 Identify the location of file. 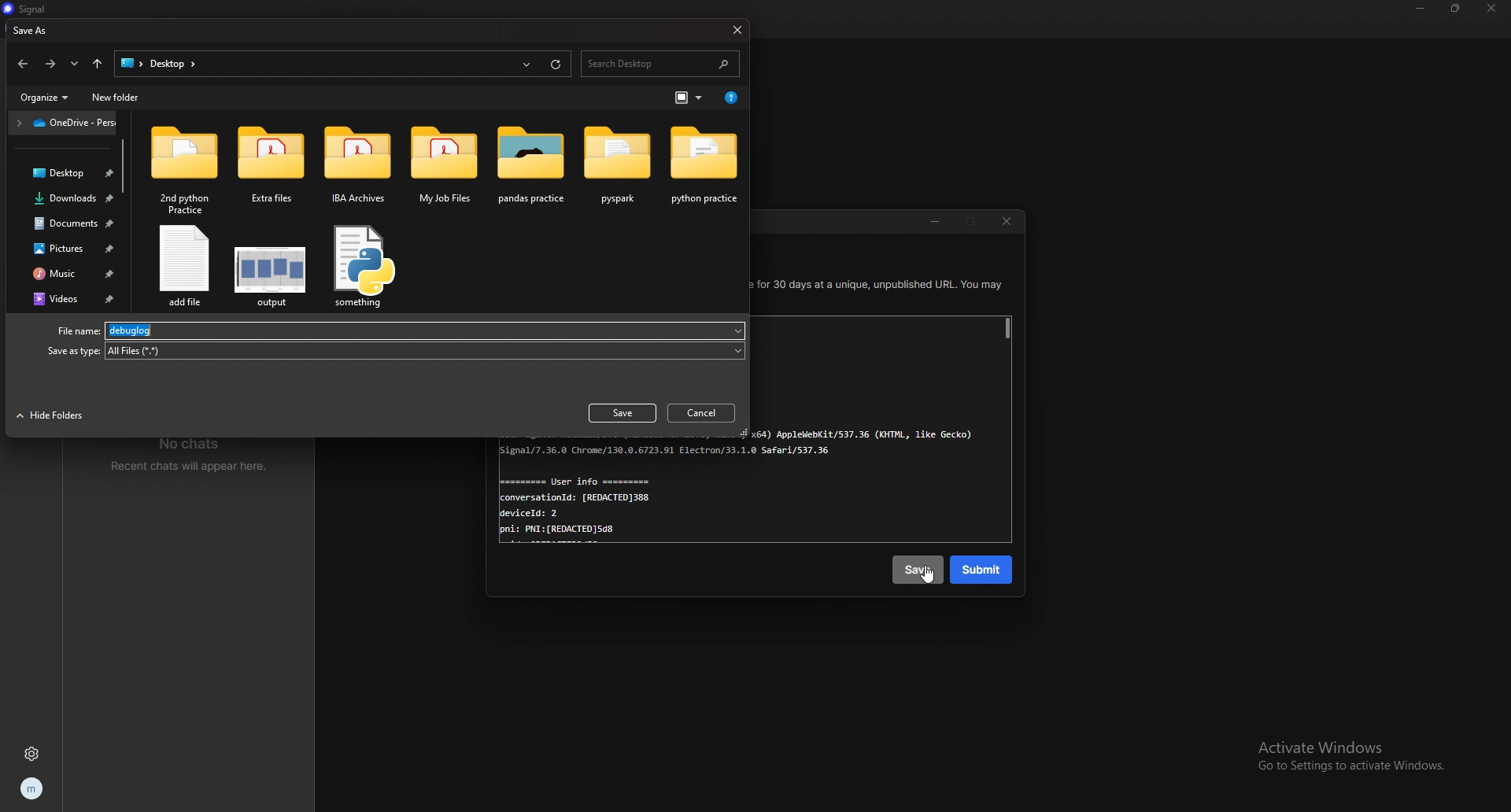
(363, 267).